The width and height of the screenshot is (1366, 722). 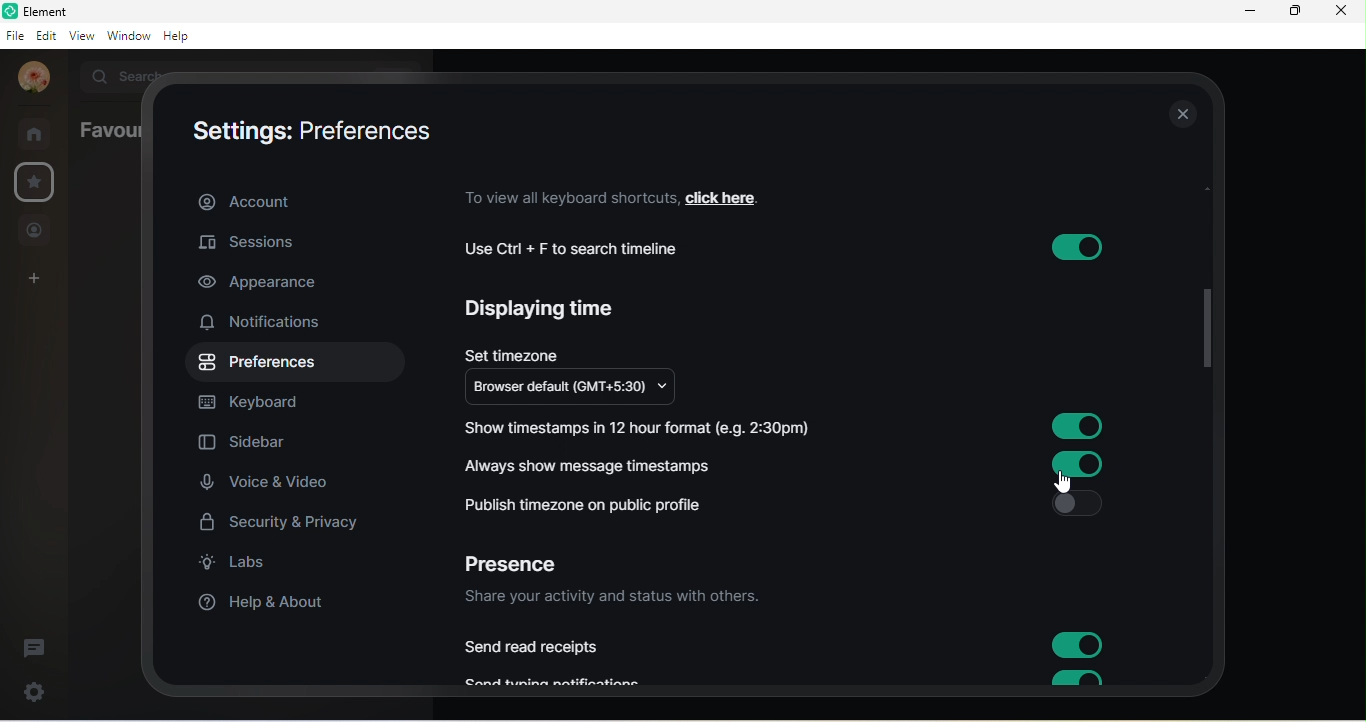 What do you see at coordinates (1073, 679) in the screenshot?
I see `button` at bounding box center [1073, 679].